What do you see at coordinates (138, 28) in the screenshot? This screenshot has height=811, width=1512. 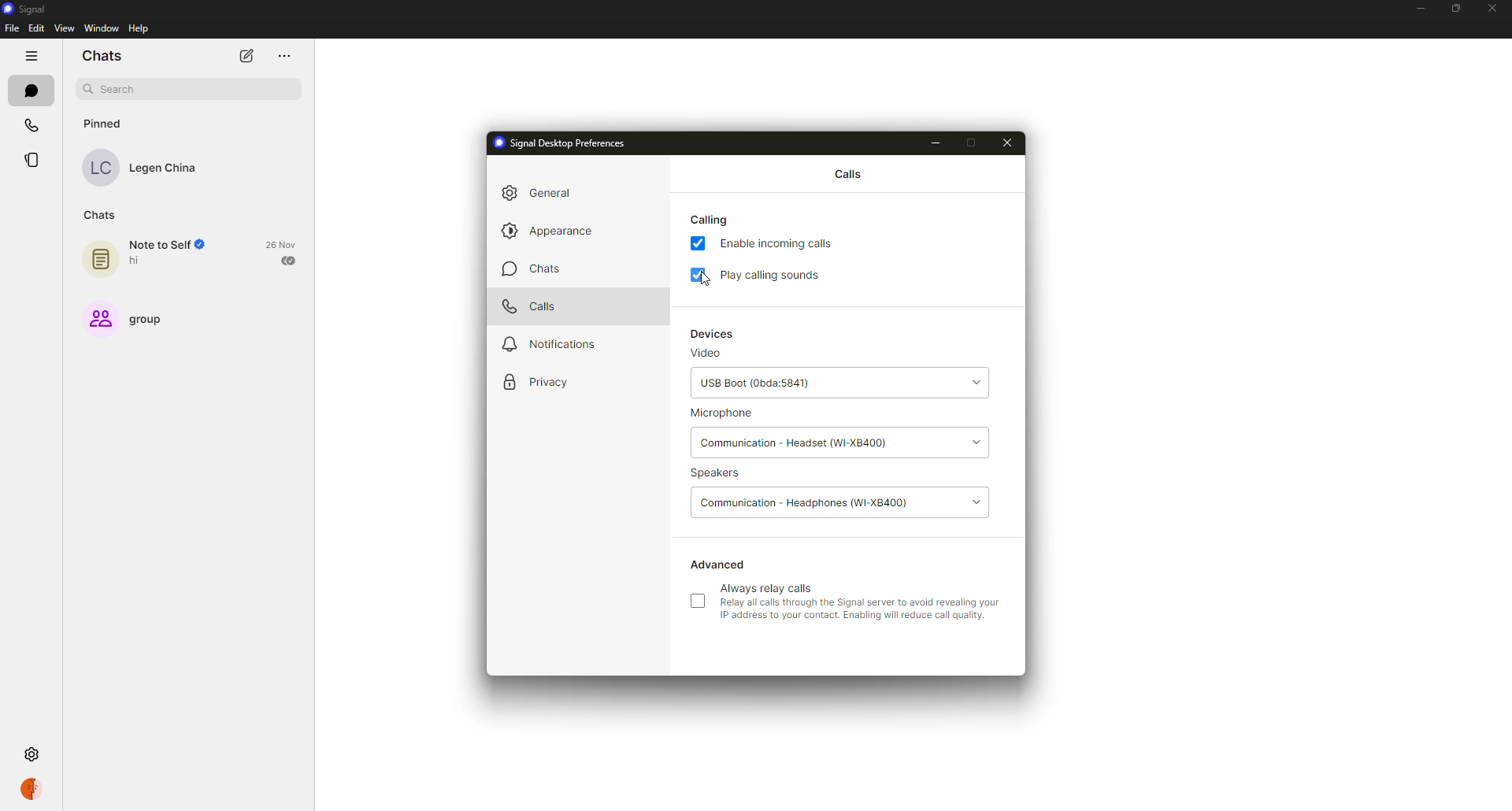 I see `help` at bounding box center [138, 28].